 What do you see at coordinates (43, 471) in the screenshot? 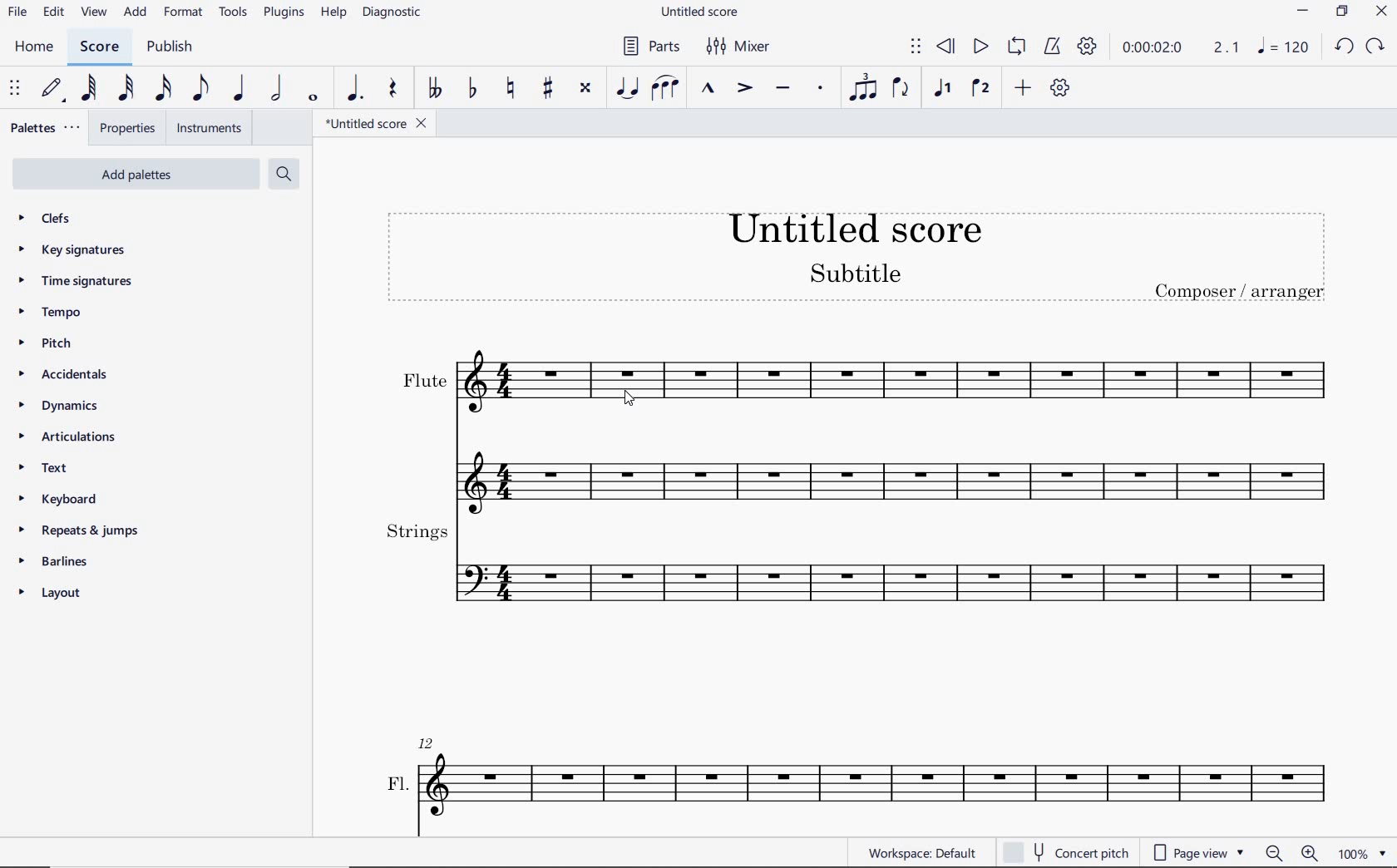
I see `text` at bounding box center [43, 471].